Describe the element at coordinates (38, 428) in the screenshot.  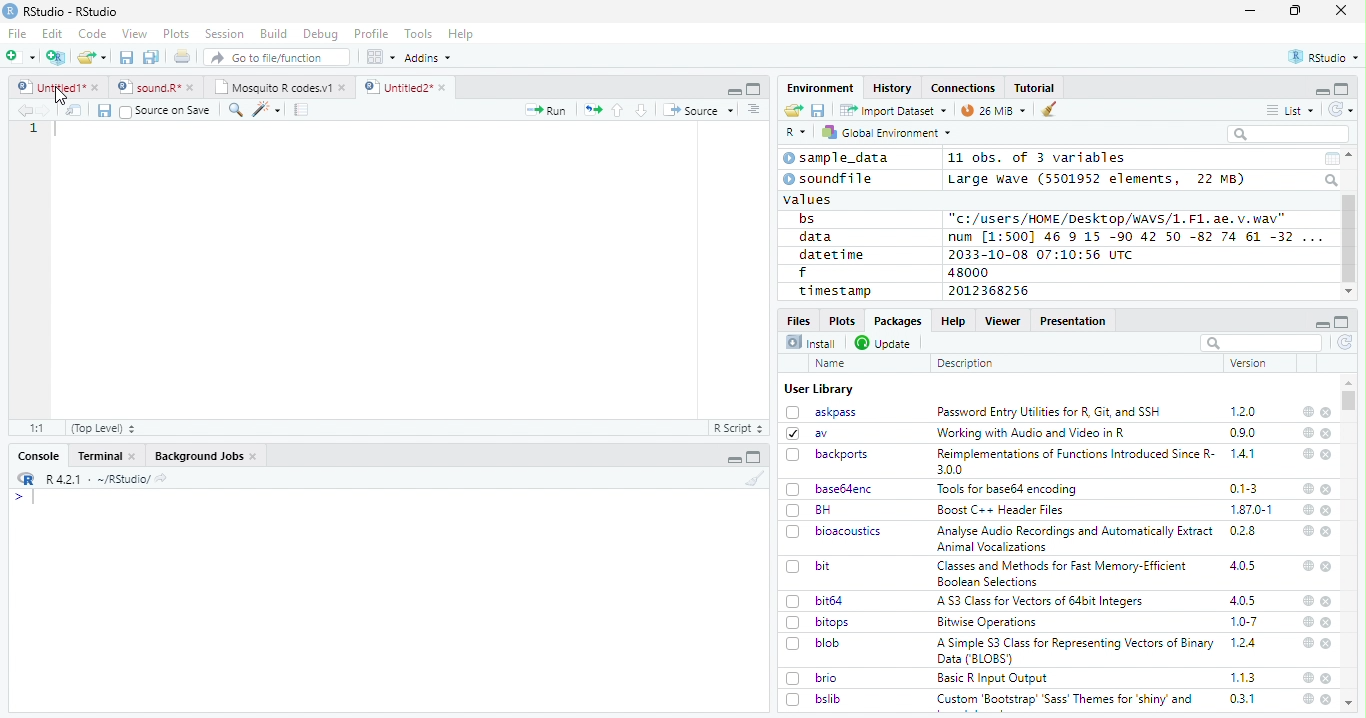
I see `1:1` at that location.